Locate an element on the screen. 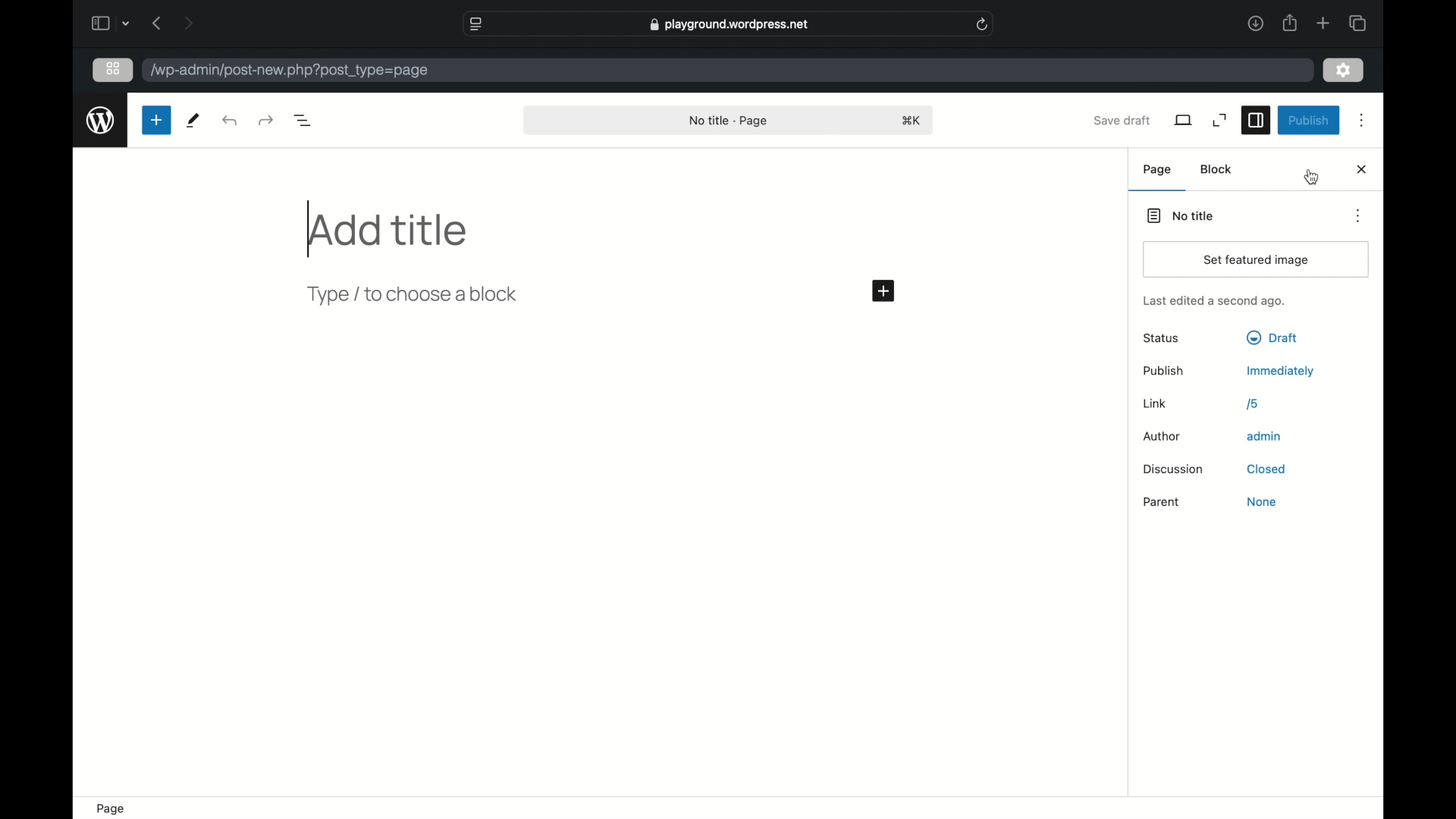 The width and height of the screenshot is (1456, 819). close is located at coordinates (1363, 170).